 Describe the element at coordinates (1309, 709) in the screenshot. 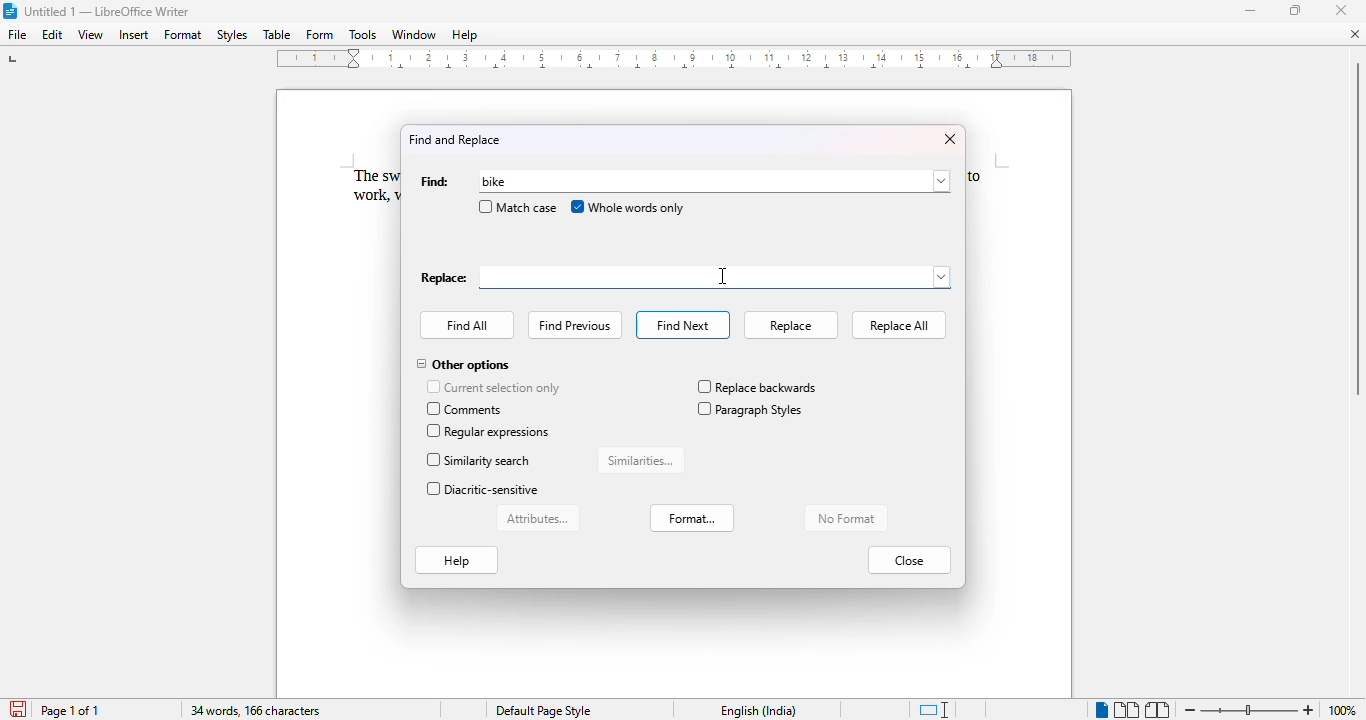

I see `zoom in` at that location.